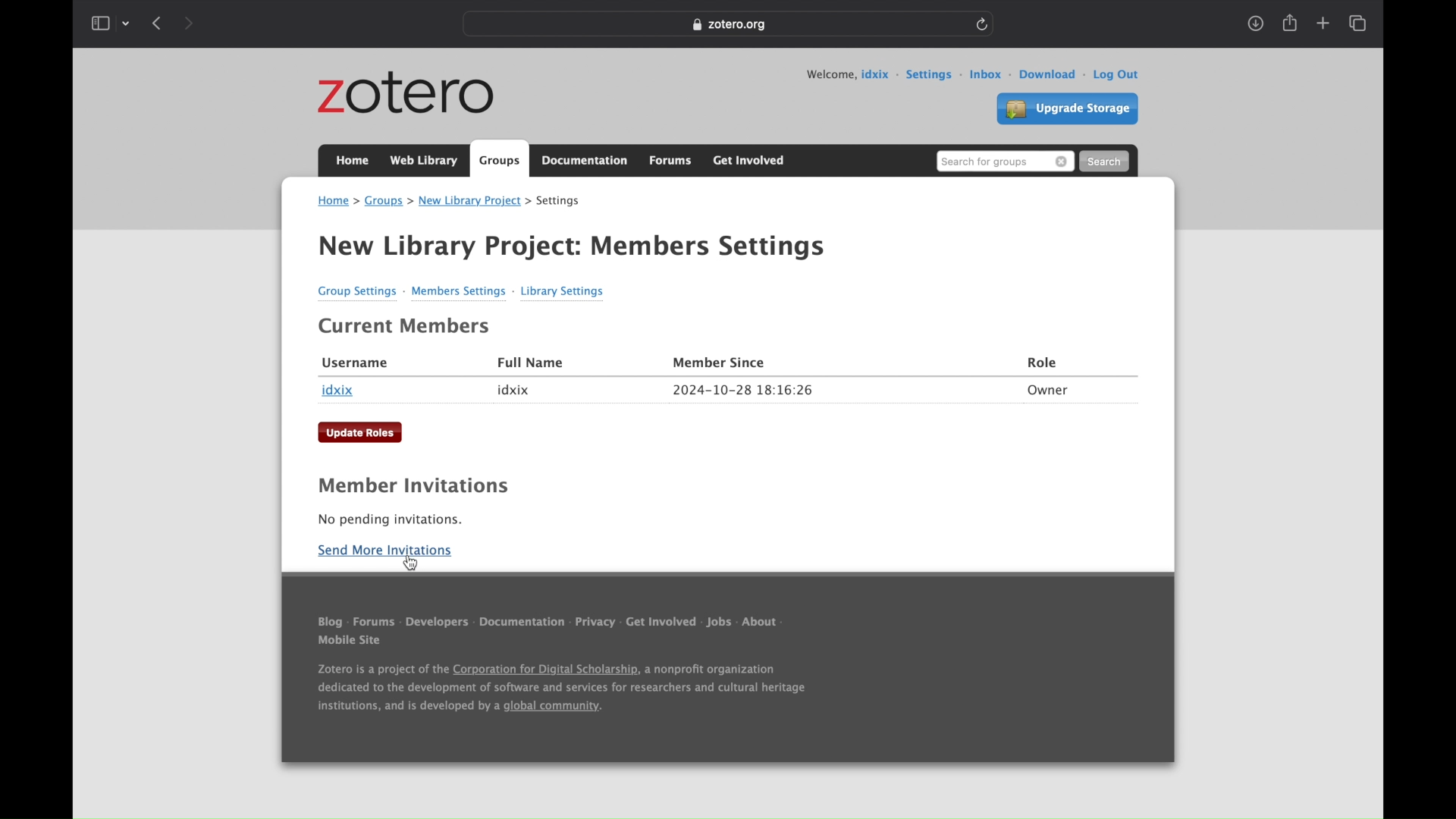 The height and width of the screenshot is (819, 1456). Describe the element at coordinates (99, 23) in the screenshot. I see `show sidebar` at that location.